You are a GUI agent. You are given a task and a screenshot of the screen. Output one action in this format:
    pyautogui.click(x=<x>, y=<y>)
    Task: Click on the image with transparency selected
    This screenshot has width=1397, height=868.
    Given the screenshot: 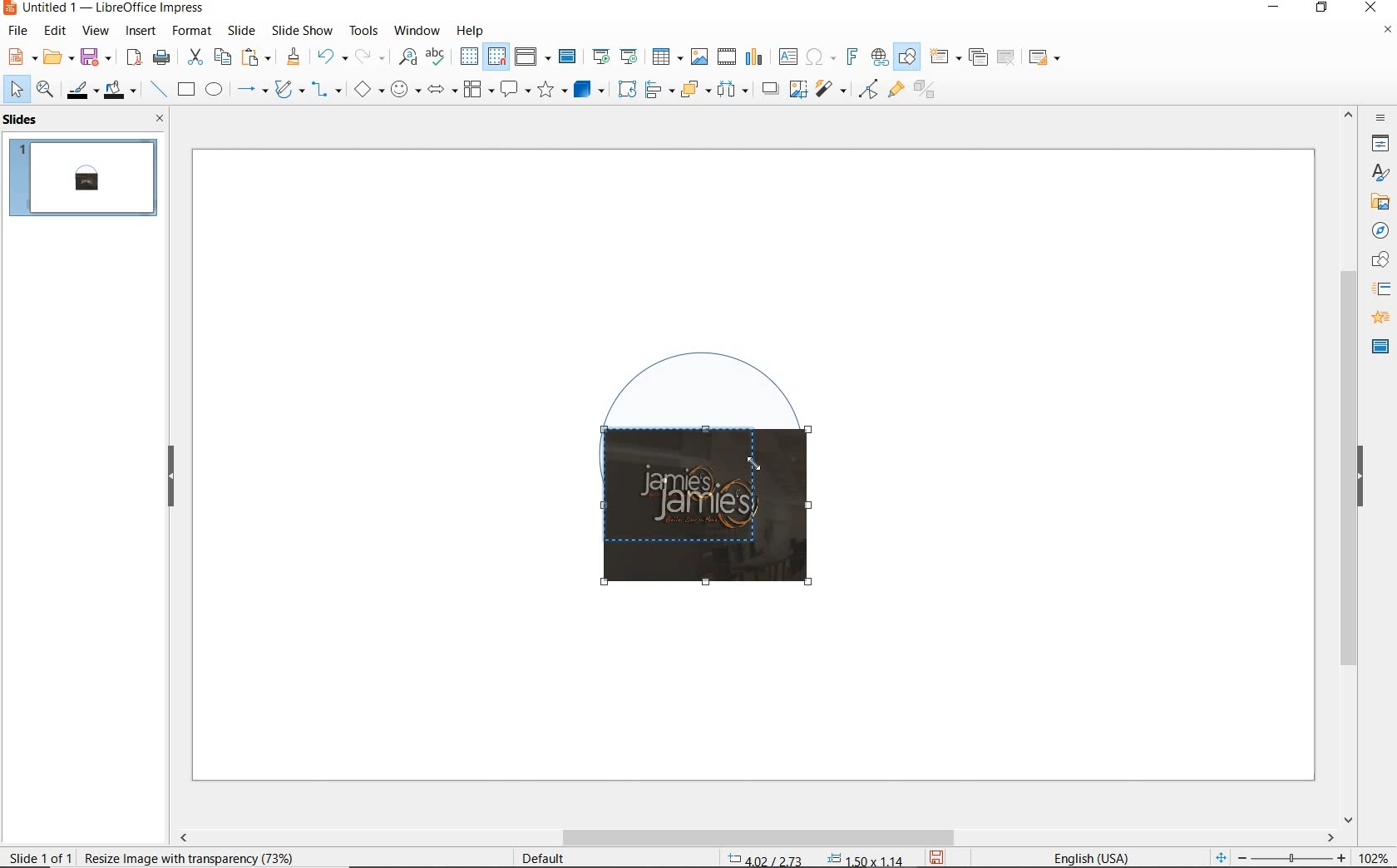 What is the action you would take?
    pyautogui.click(x=193, y=856)
    